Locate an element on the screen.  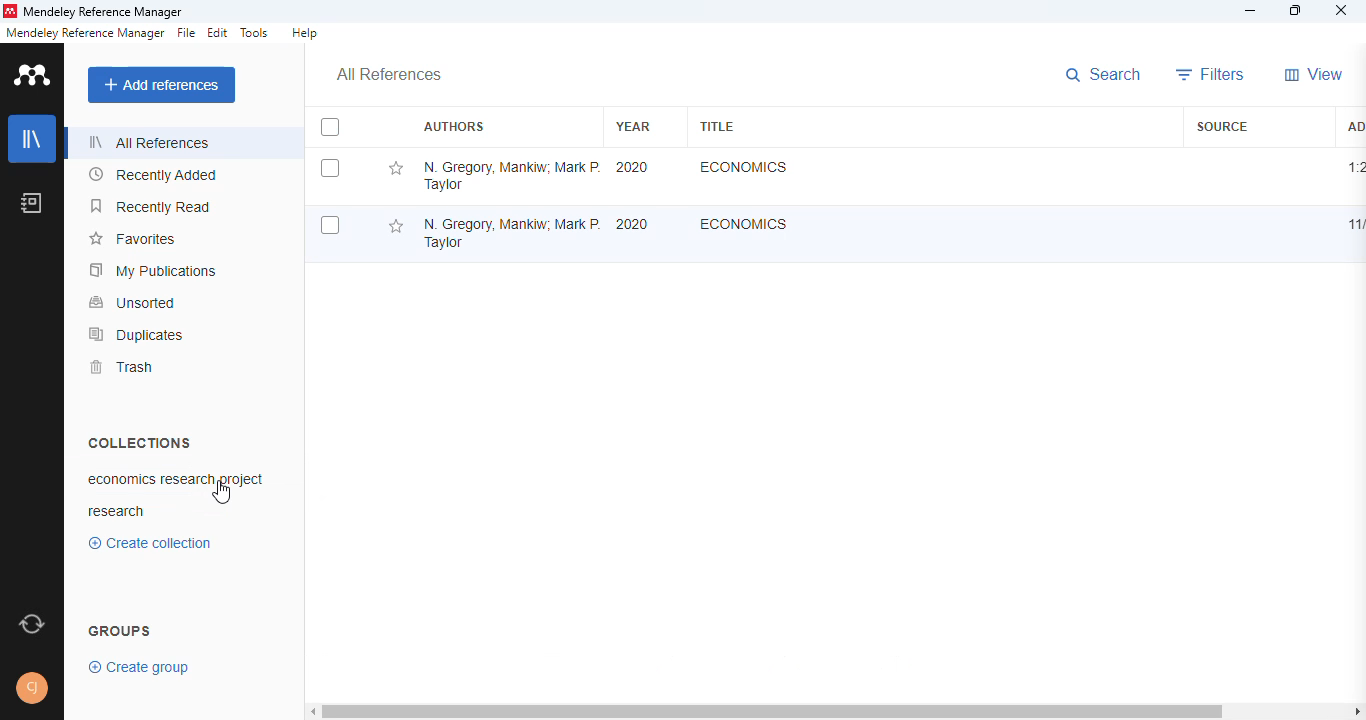
all references is located at coordinates (149, 142).